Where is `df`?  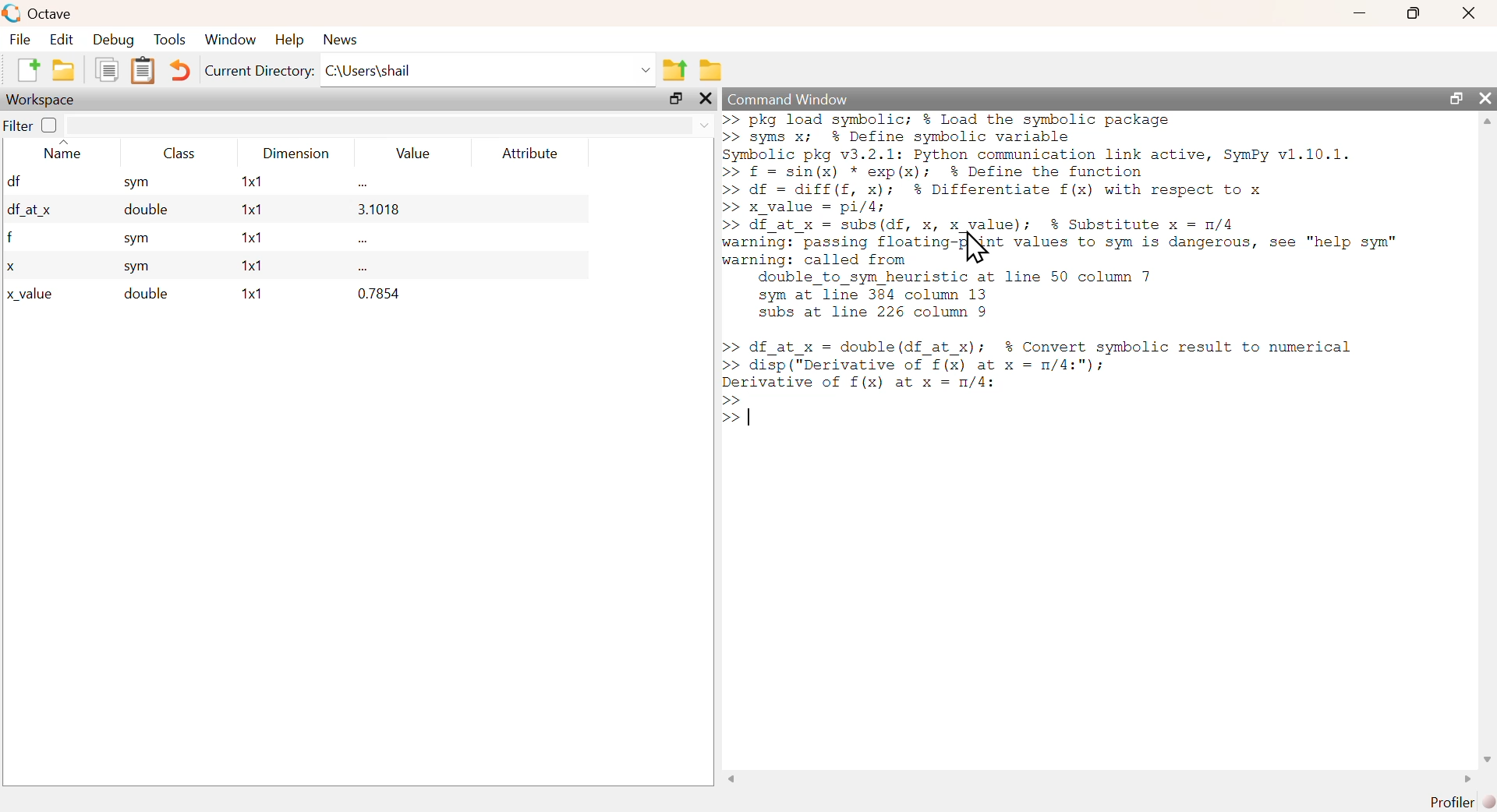
df is located at coordinates (14, 180).